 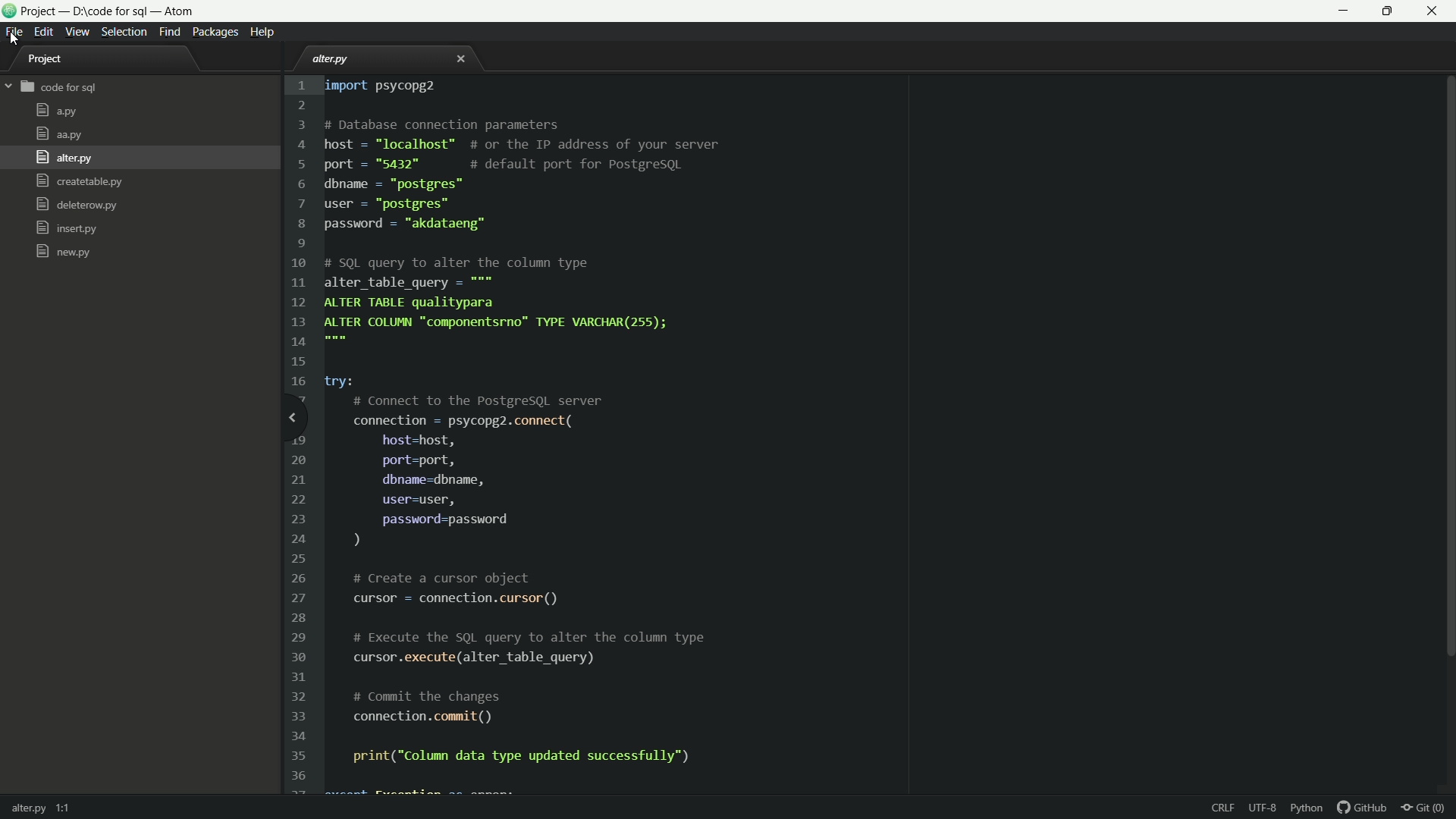 What do you see at coordinates (78, 182) in the screenshot?
I see `createtable.py file` at bounding box center [78, 182].